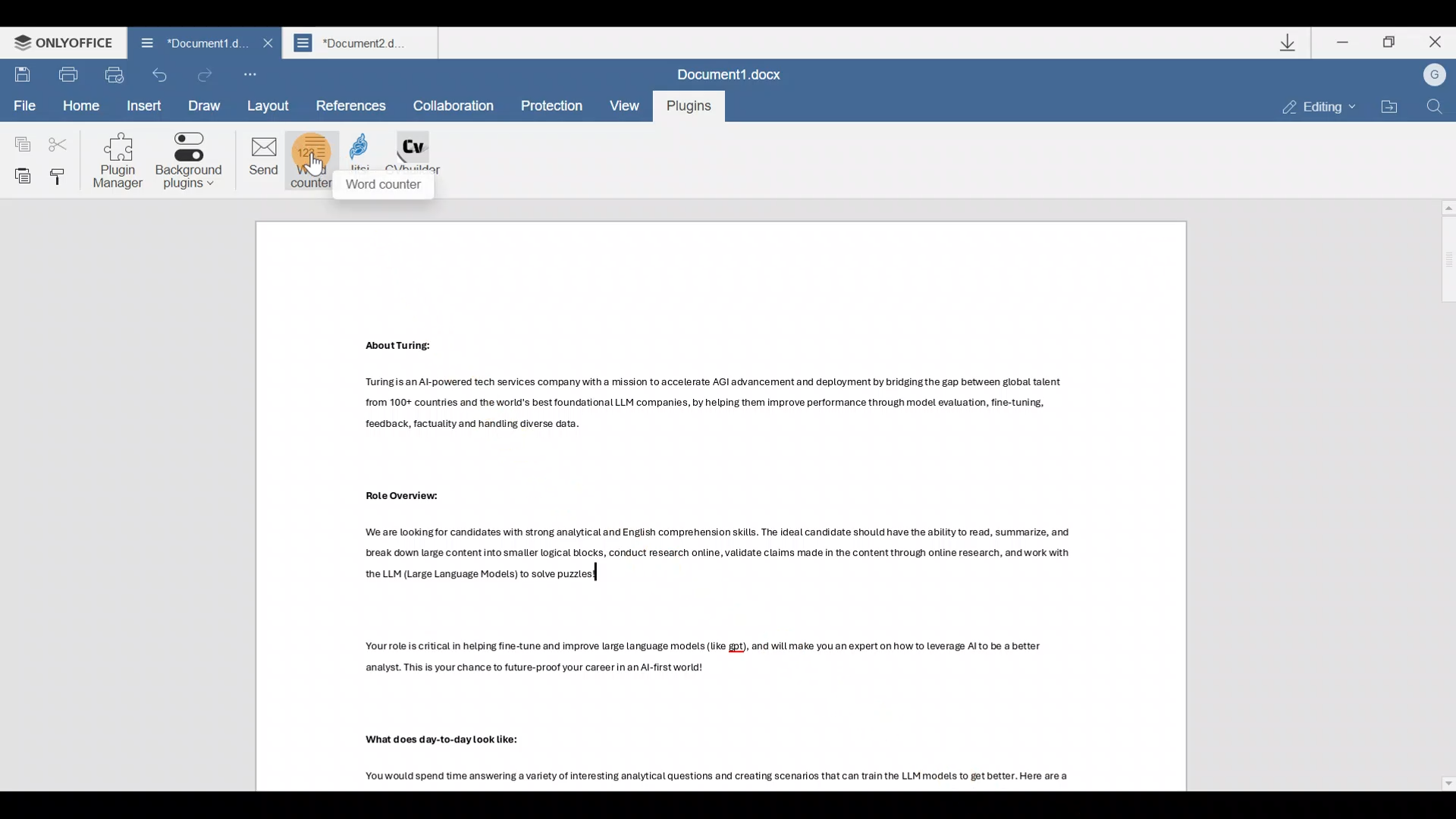 Image resolution: width=1456 pixels, height=819 pixels. What do you see at coordinates (687, 107) in the screenshot?
I see `Plugins` at bounding box center [687, 107].